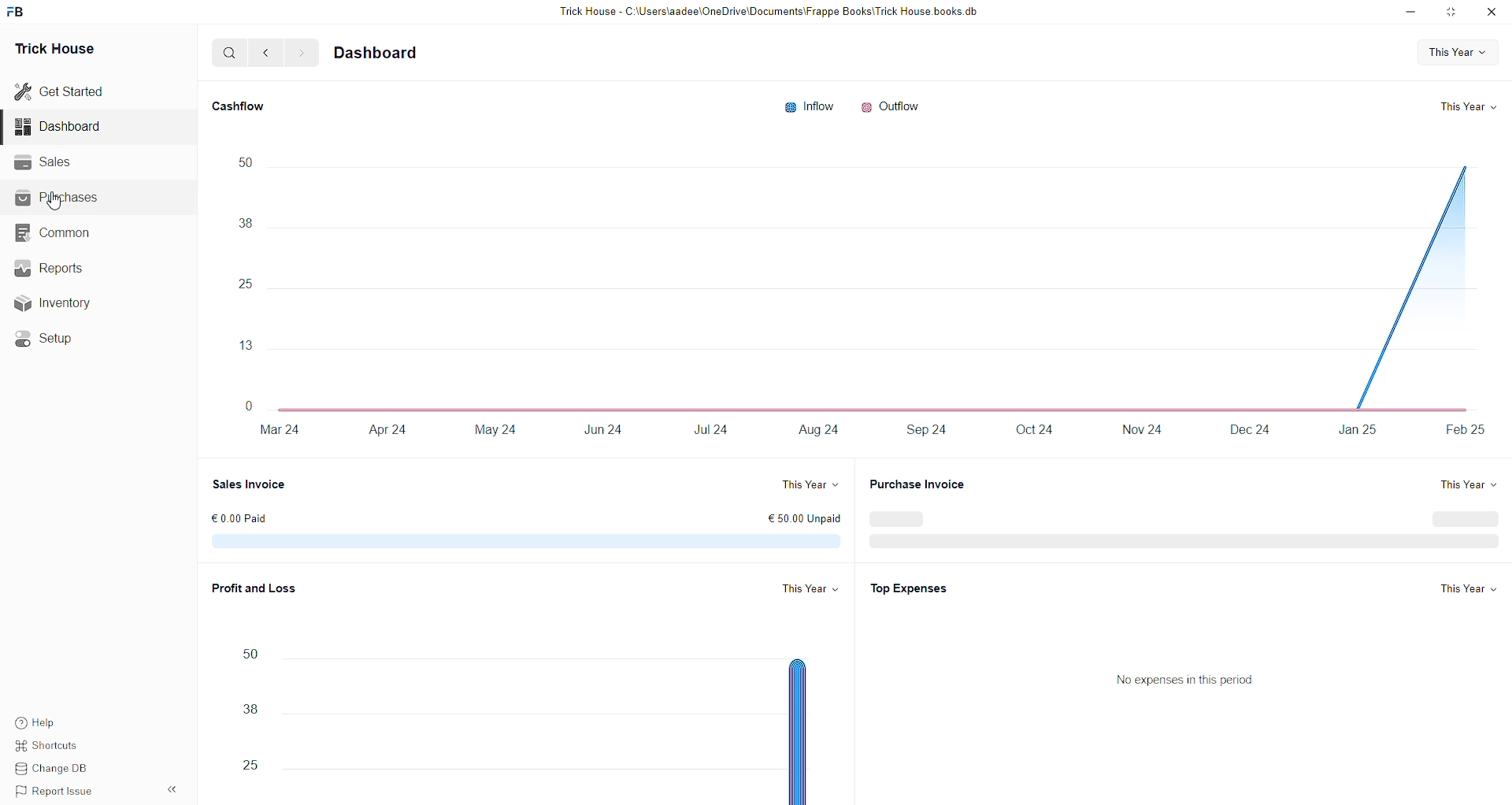 The height and width of the screenshot is (805, 1512). What do you see at coordinates (61, 126) in the screenshot?
I see `Dashboard` at bounding box center [61, 126].